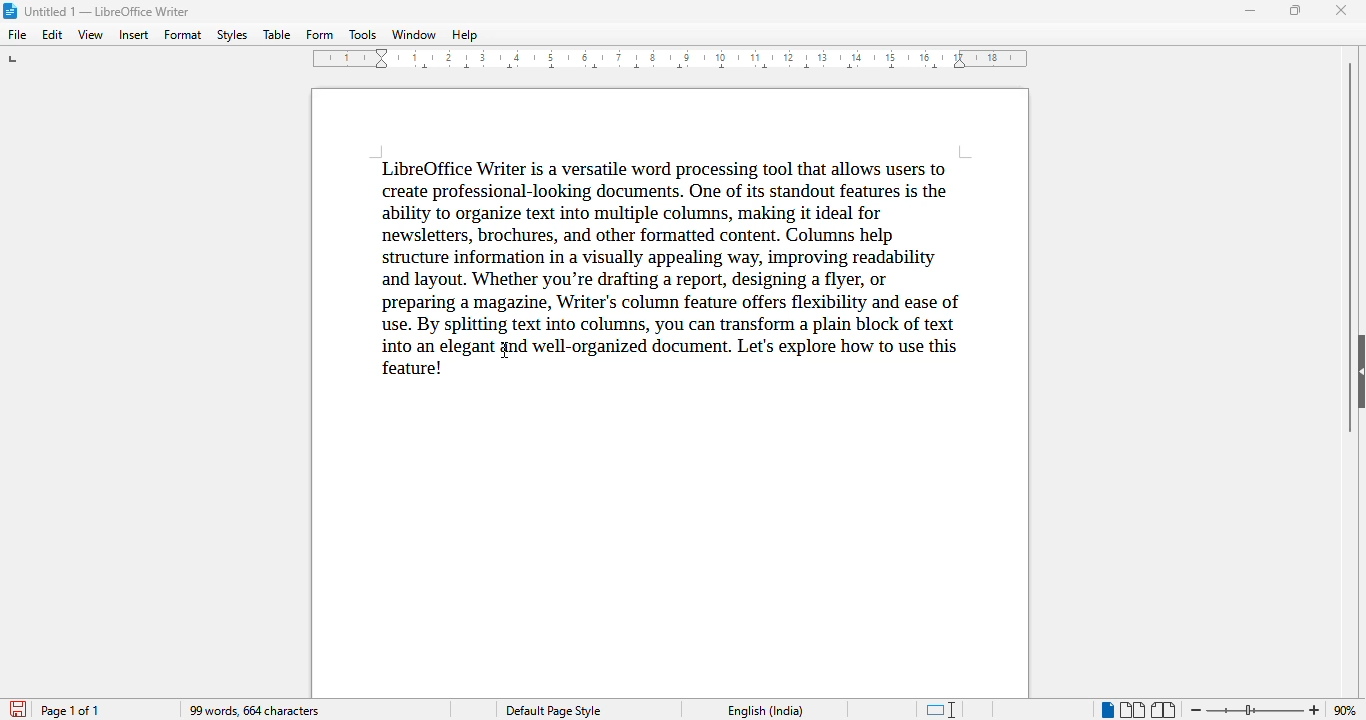 The height and width of the screenshot is (720, 1366). What do you see at coordinates (1197, 709) in the screenshot?
I see `zoom out` at bounding box center [1197, 709].